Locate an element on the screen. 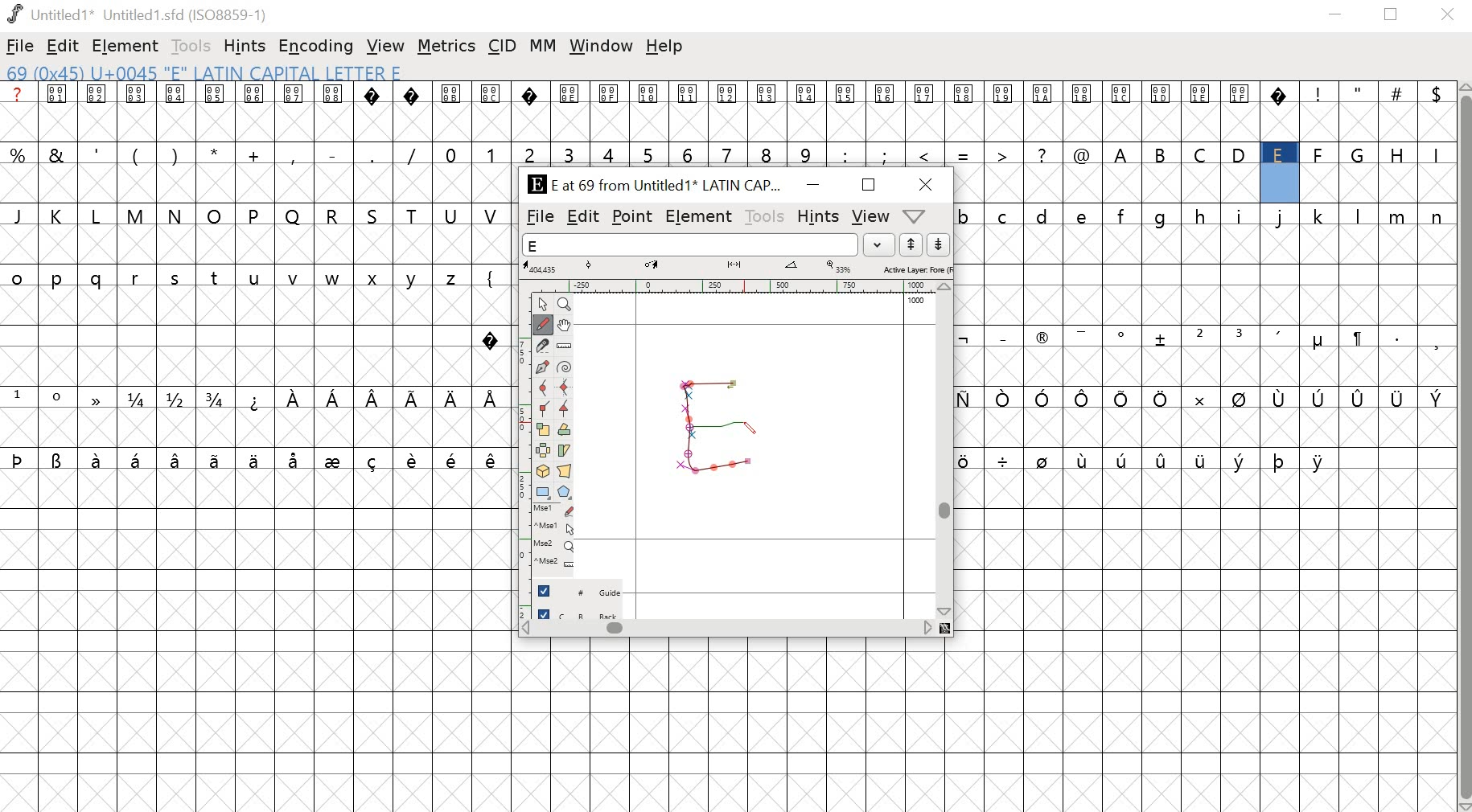  guide layer is located at coordinates (578, 594).